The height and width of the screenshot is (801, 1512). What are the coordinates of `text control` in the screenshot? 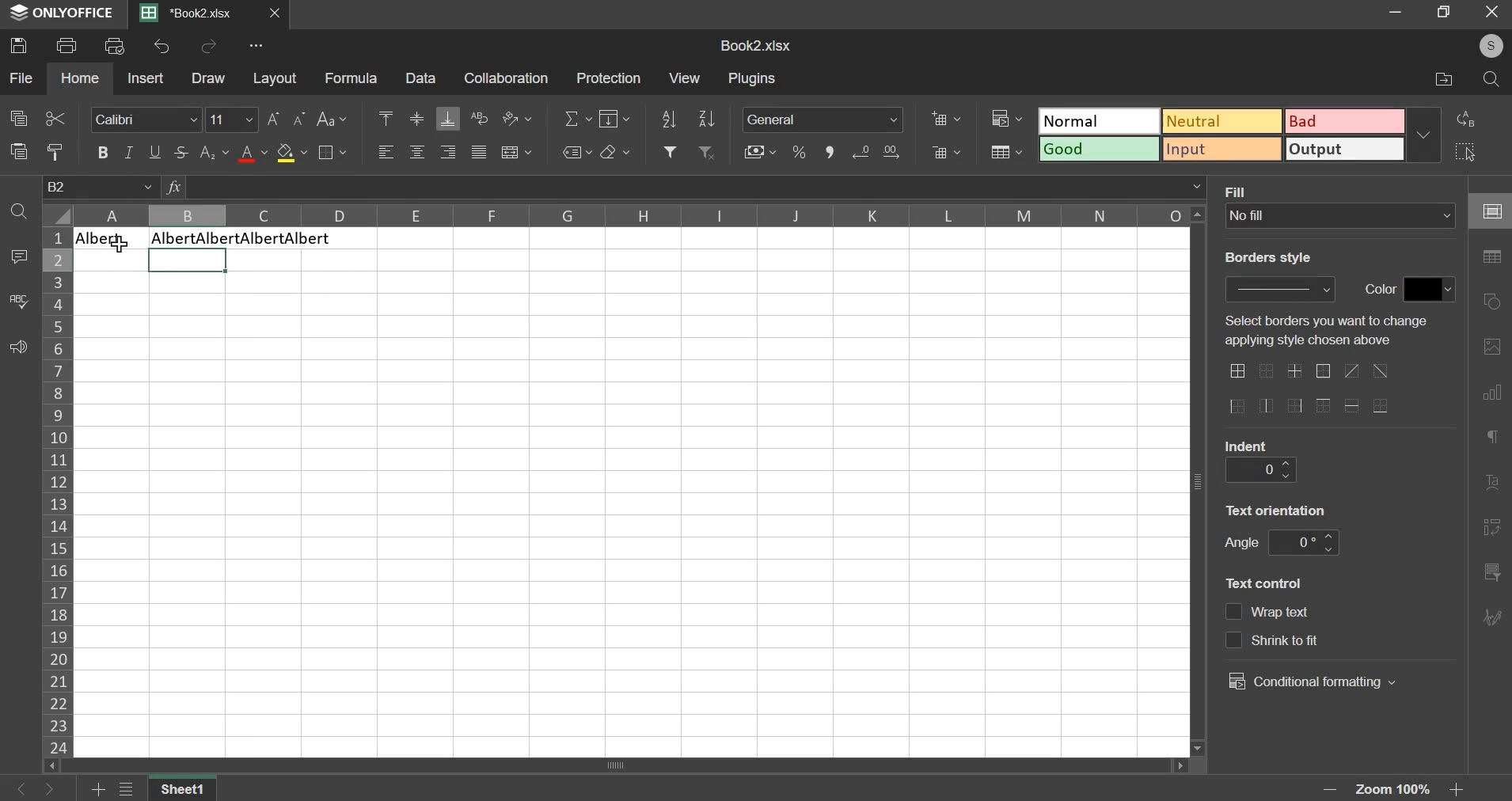 It's located at (1235, 624).